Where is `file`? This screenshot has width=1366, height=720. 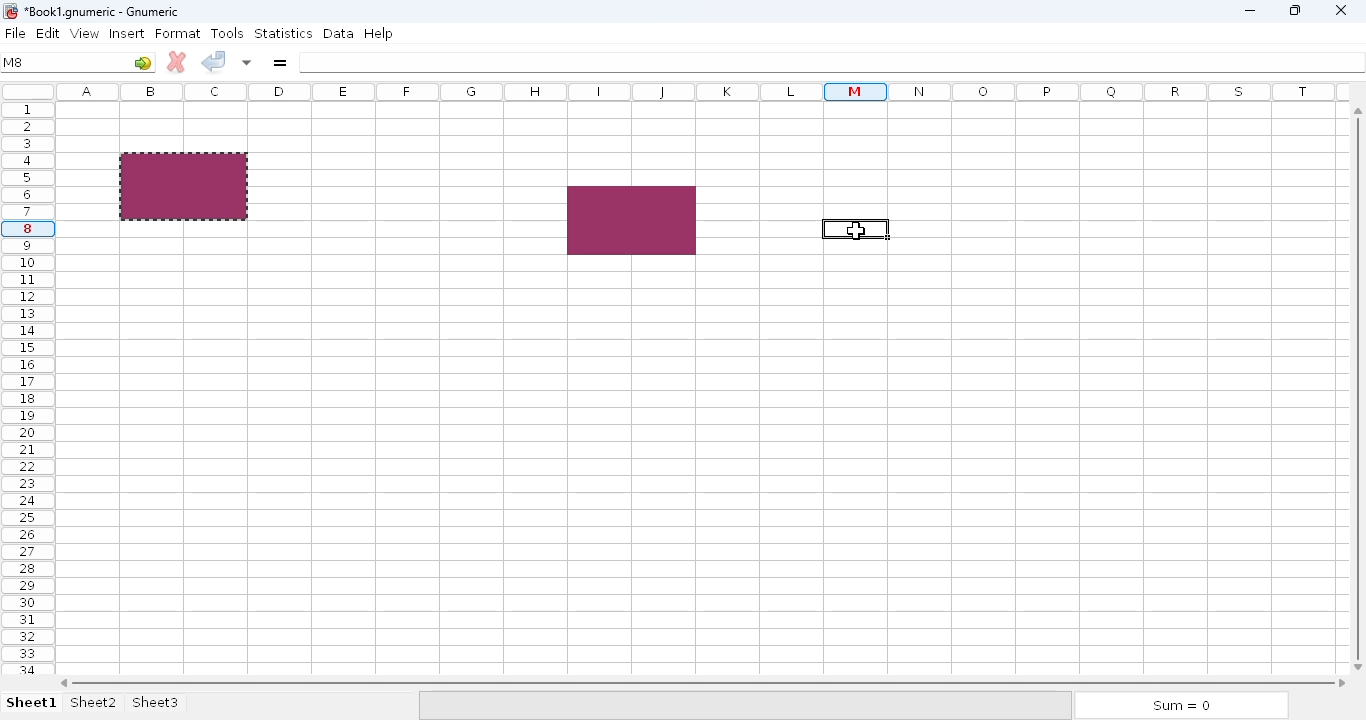
file is located at coordinates (15, 33).